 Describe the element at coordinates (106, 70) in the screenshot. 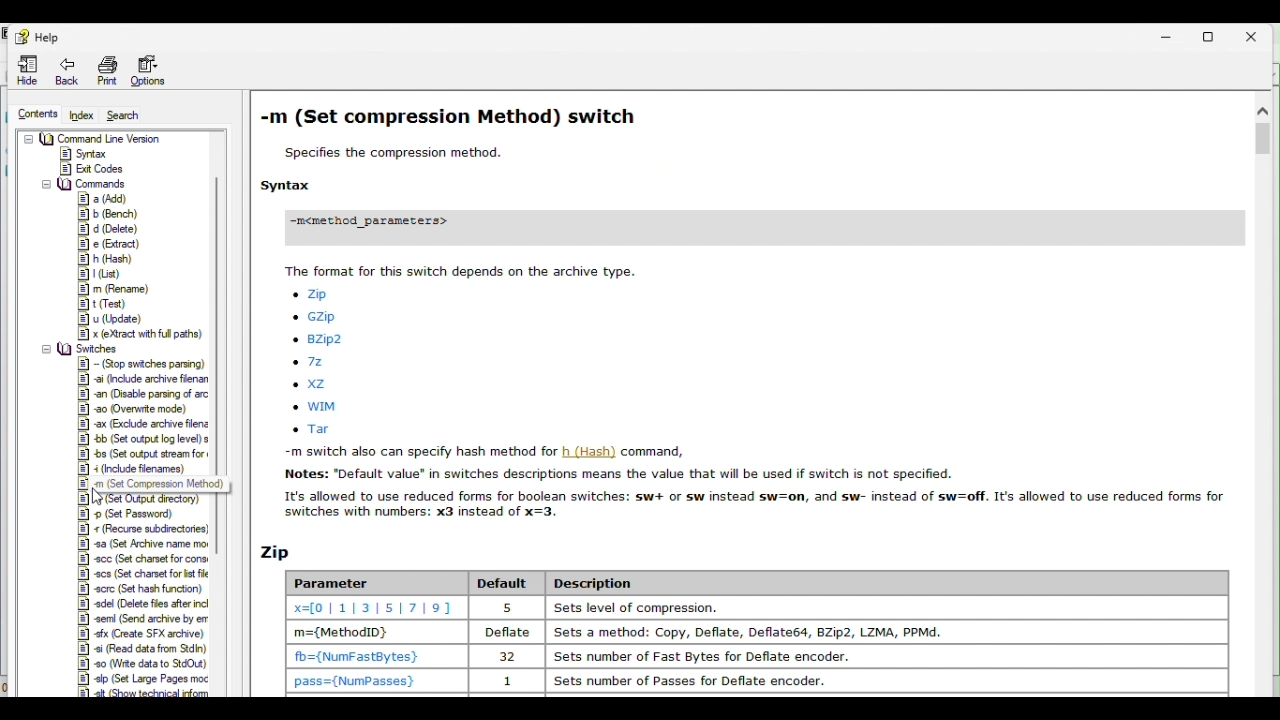

I see `print` at that location.